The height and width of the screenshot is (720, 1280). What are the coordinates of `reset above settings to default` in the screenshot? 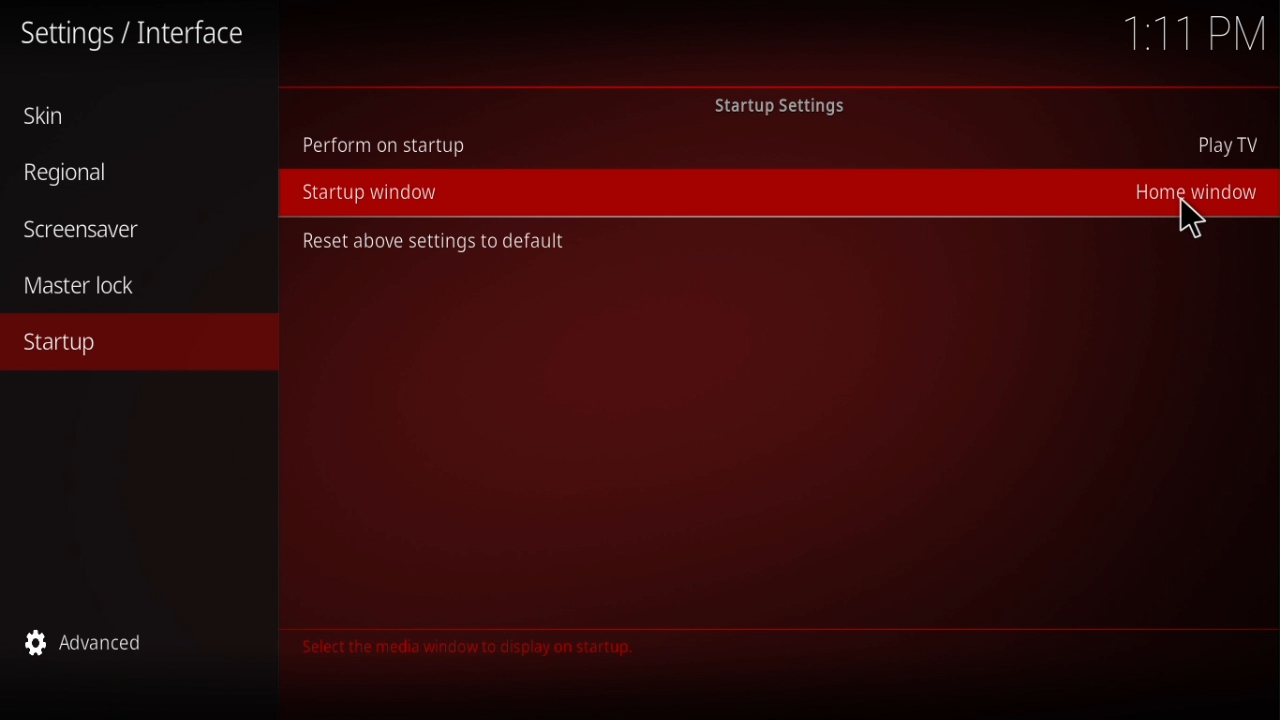 It's located at (432, 241).